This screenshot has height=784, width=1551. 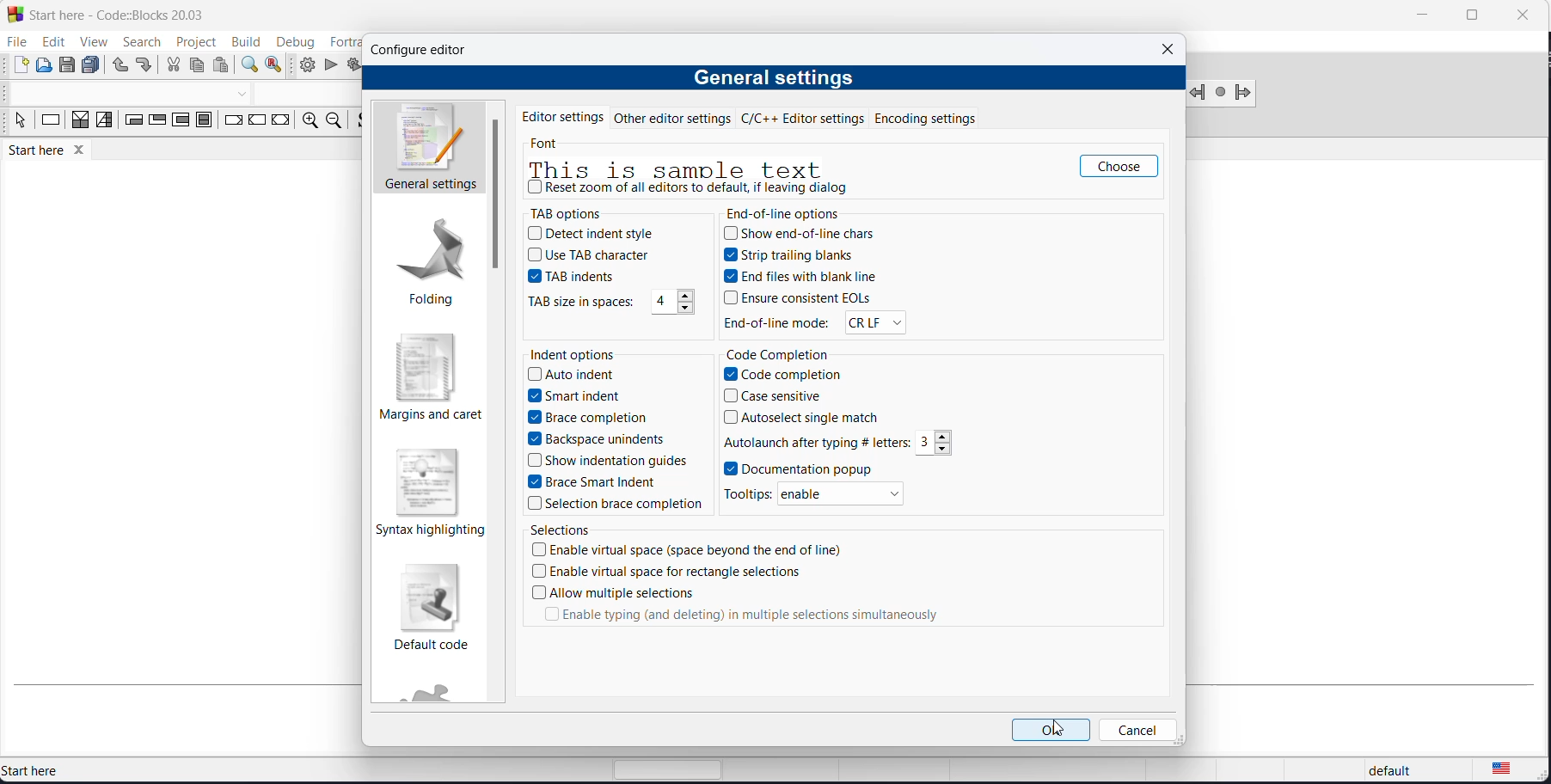 I want to click on reset zoom checkbox, so click(x=696, y=193).